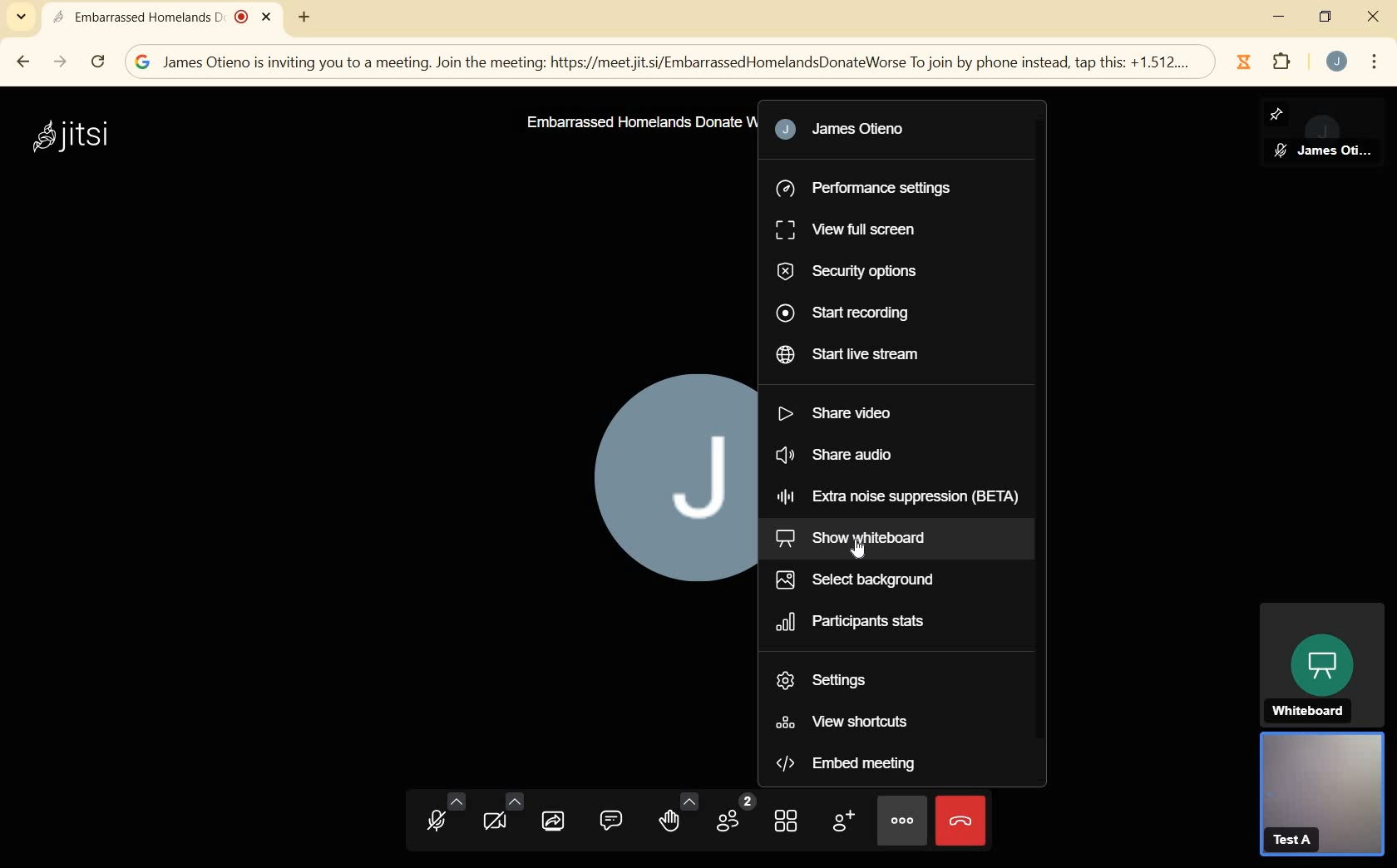 The width and height of the screenshot is (1397, 868). What do you see at coordinates (1321, 798) in the screenshot?
I see `GUEST PANEL VIEW` at bounding box center [1321, 798].